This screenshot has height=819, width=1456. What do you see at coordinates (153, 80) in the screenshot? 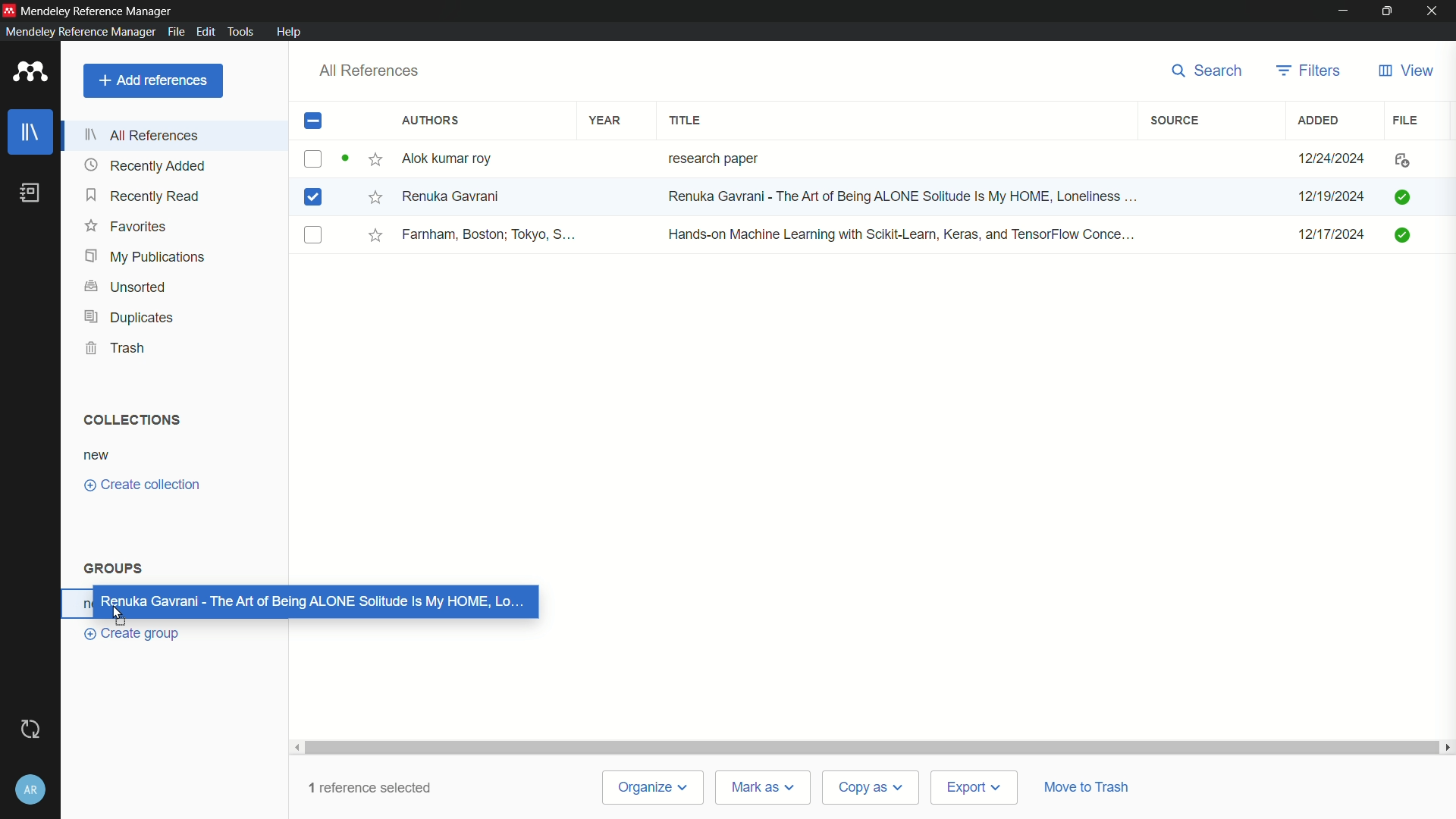
I see `add references` at bounding box center [153, 80].